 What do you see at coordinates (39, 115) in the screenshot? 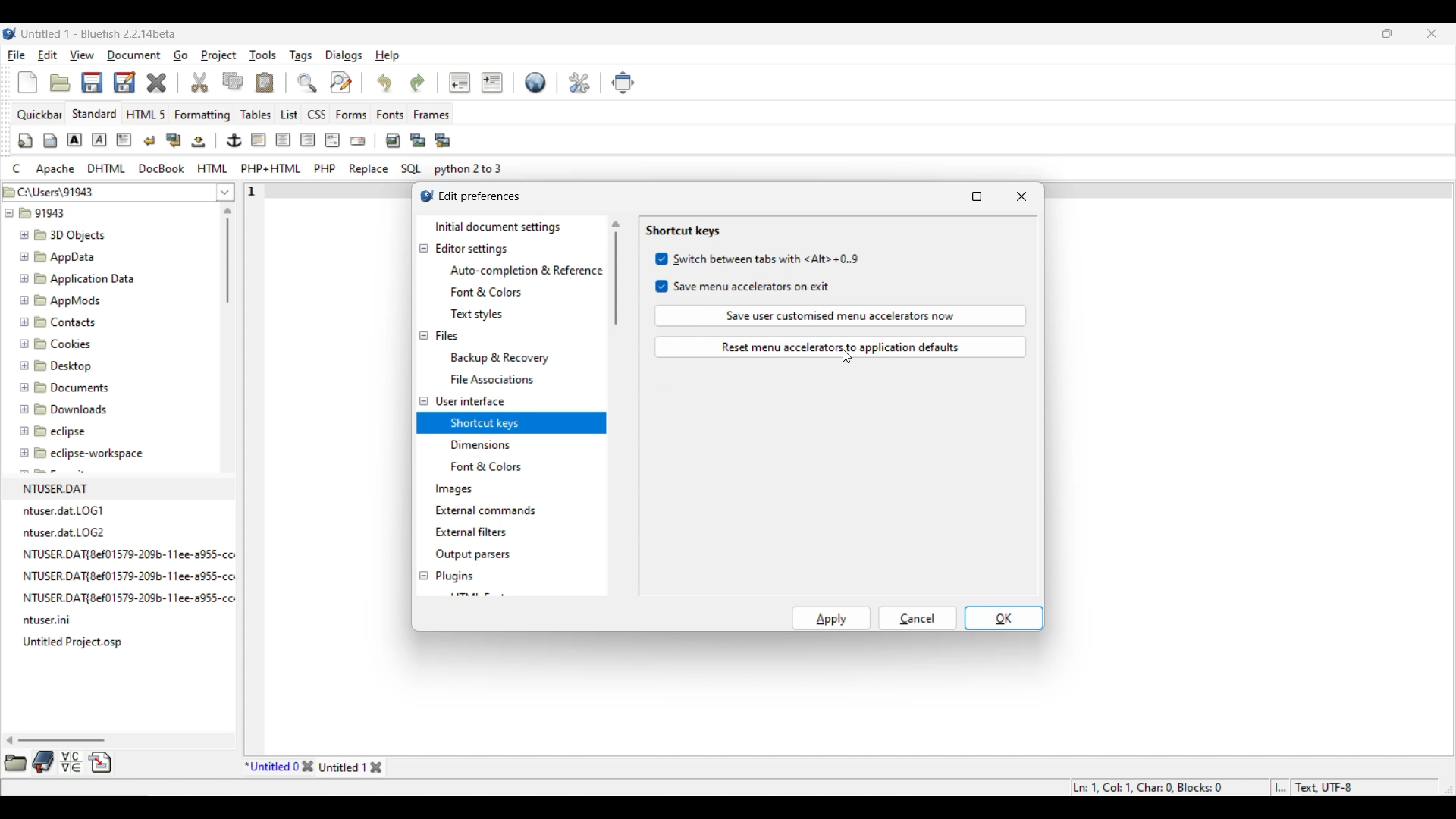
I see `Quickbar` at bounding box center [39, 115].